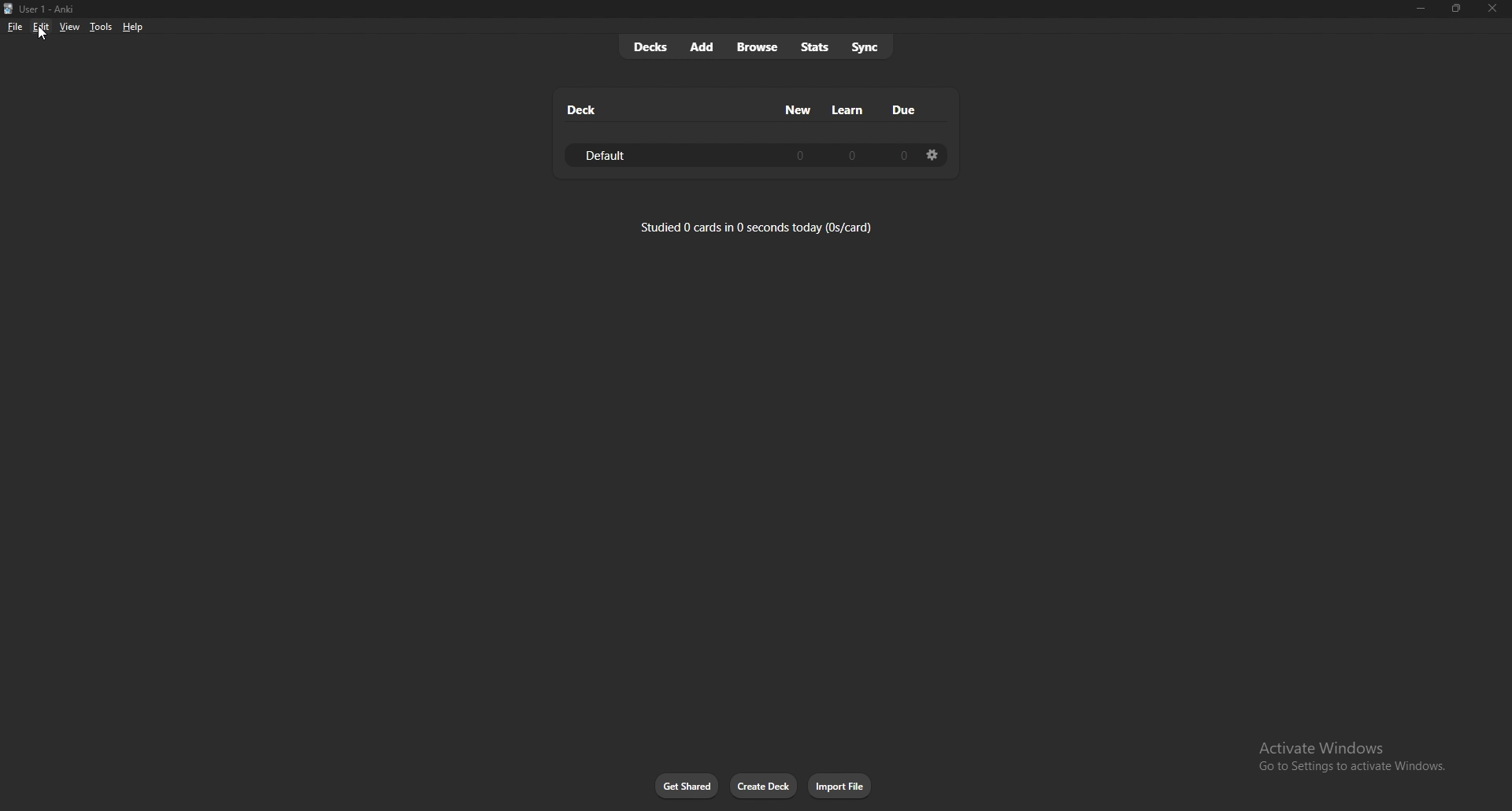 This screenshot has height=811, width=1512. What do you see at coordinates (797, 156) in the screenshot?
I see `0` at bounding box center [797, 156].